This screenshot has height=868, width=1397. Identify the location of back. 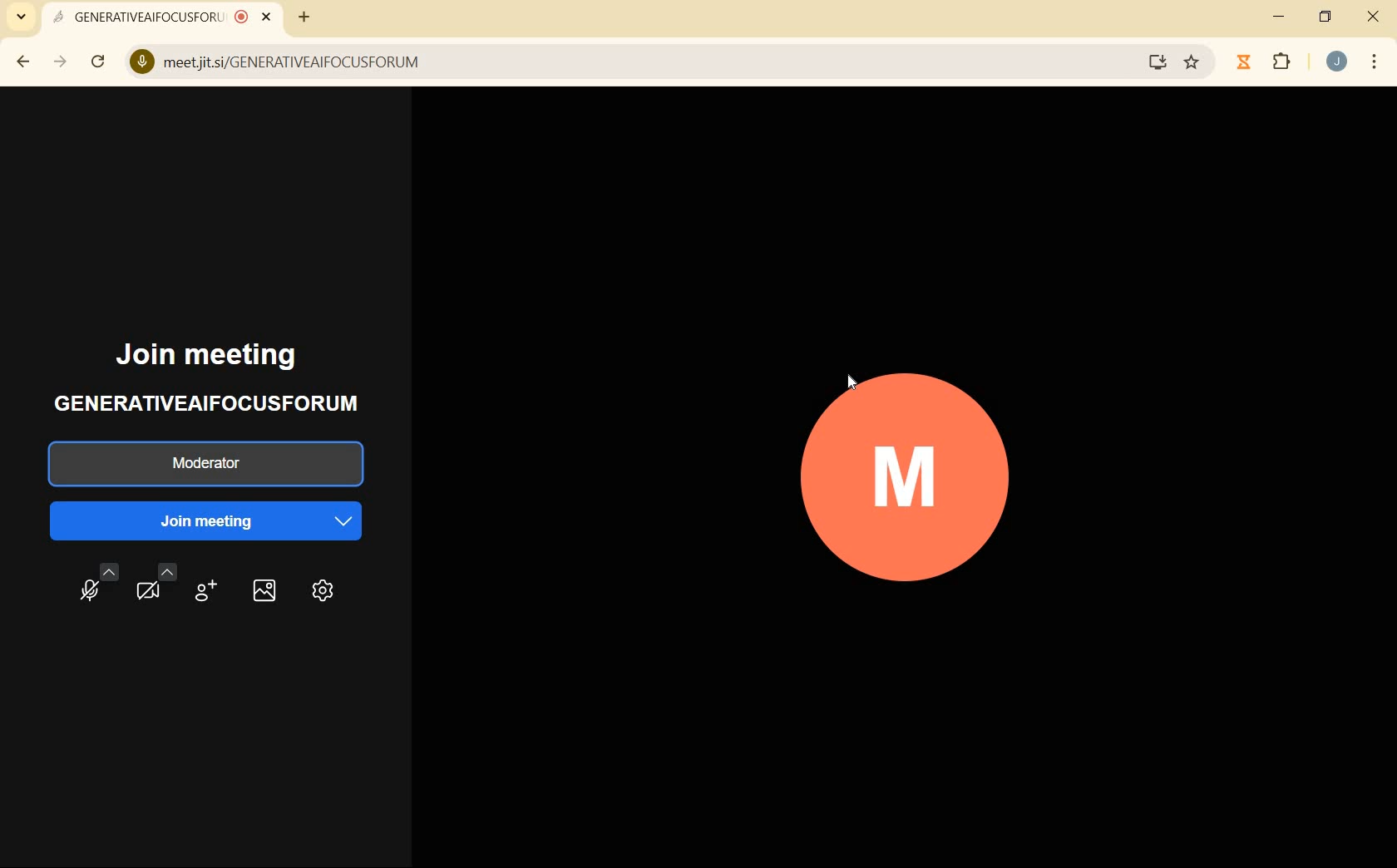
(19, 62).